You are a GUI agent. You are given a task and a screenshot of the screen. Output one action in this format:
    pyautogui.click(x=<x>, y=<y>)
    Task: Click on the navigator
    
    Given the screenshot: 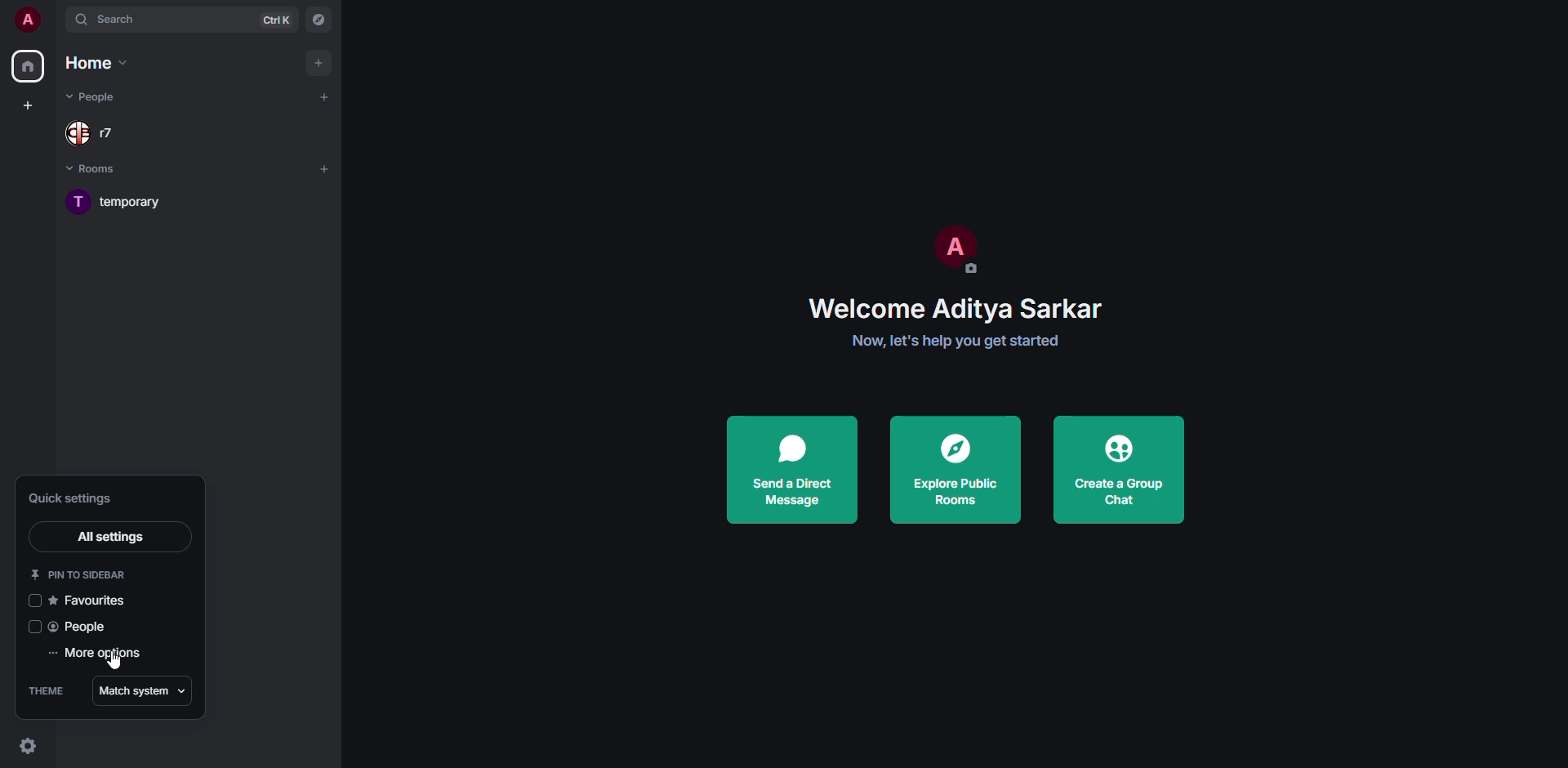 What is the action you would take?
    pyautogui.click(x=318, y=20)
    